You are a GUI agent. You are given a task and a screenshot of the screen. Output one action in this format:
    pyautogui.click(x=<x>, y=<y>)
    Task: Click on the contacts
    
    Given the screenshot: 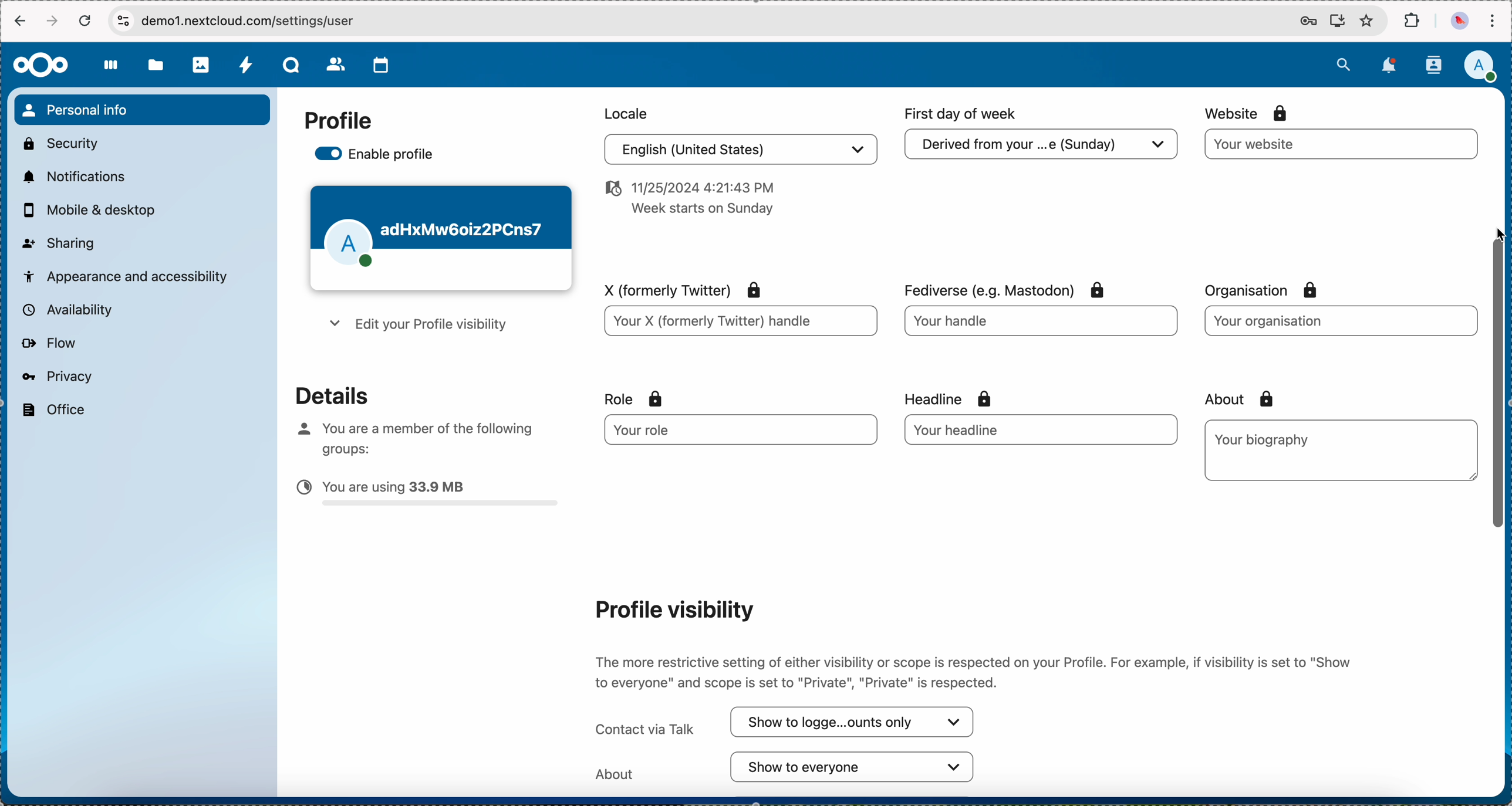 What is the action you would take?
    pyautogui.click(x=336, y=66)
    